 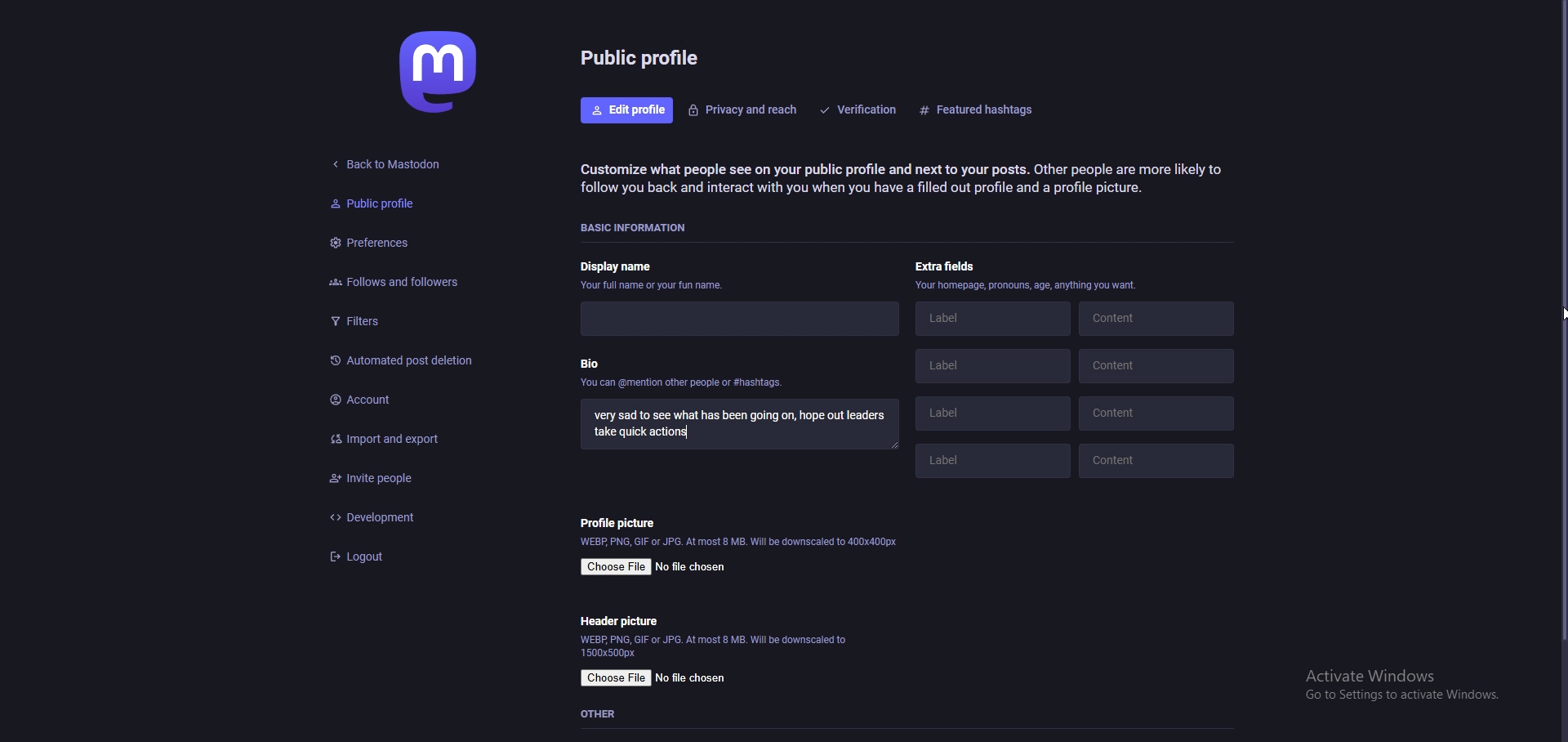 What do you see at coordinates (412, 400) in the screenshot?
I see `account` at bounding box center [412, 400].